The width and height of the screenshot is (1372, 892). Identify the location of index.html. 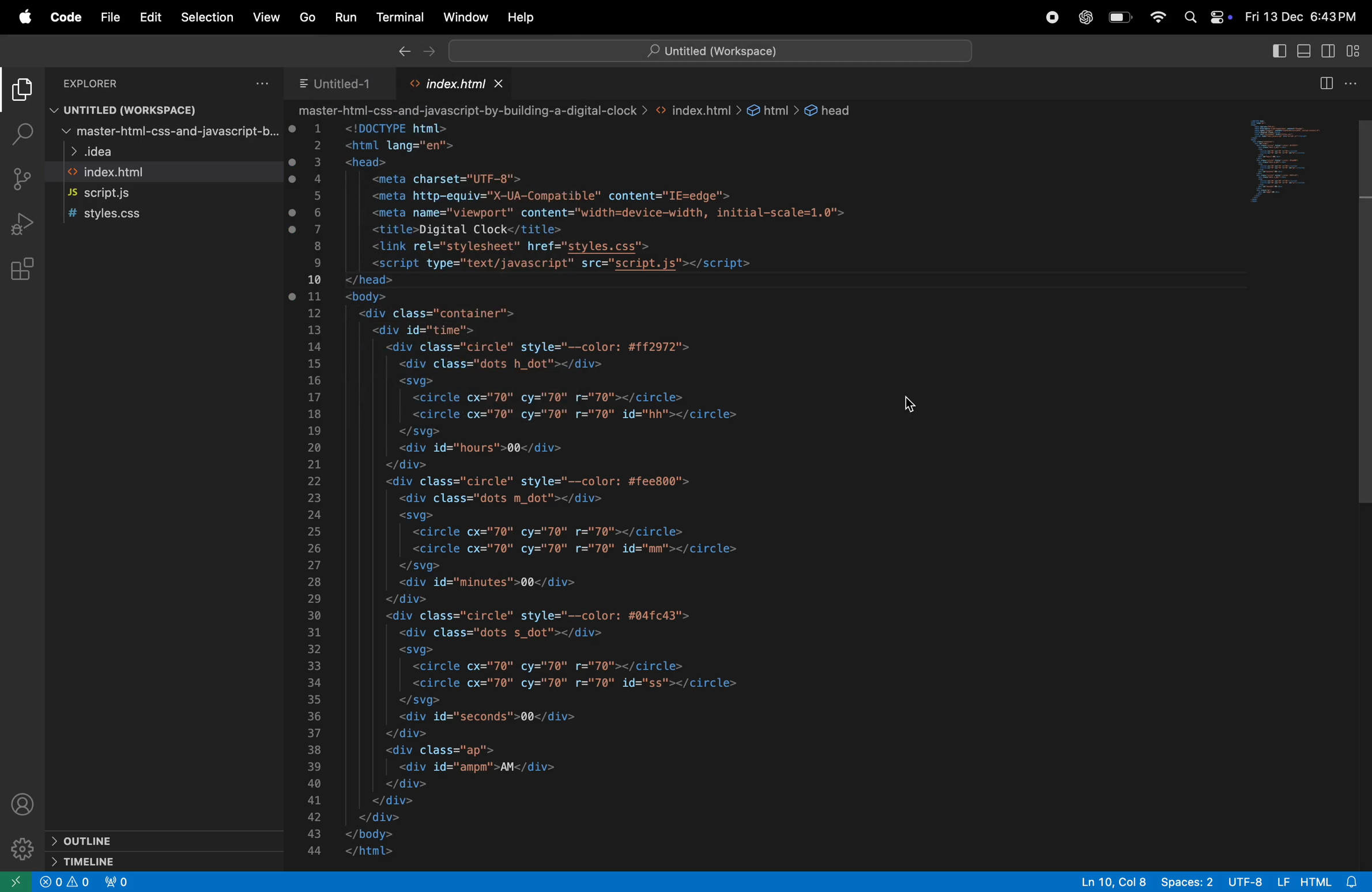
(118, 173).